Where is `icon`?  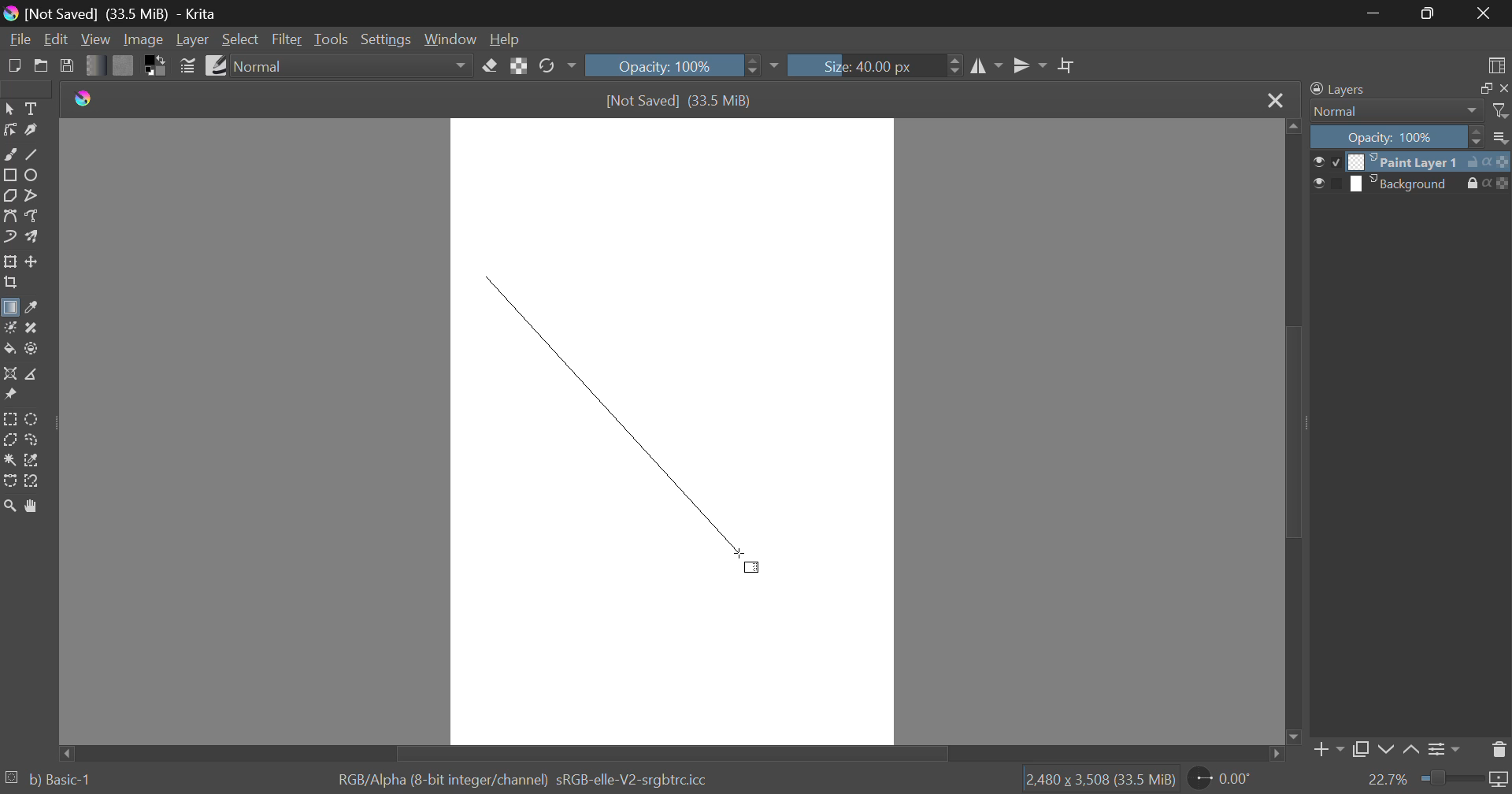
icon is located at coordinates (1503, 184).